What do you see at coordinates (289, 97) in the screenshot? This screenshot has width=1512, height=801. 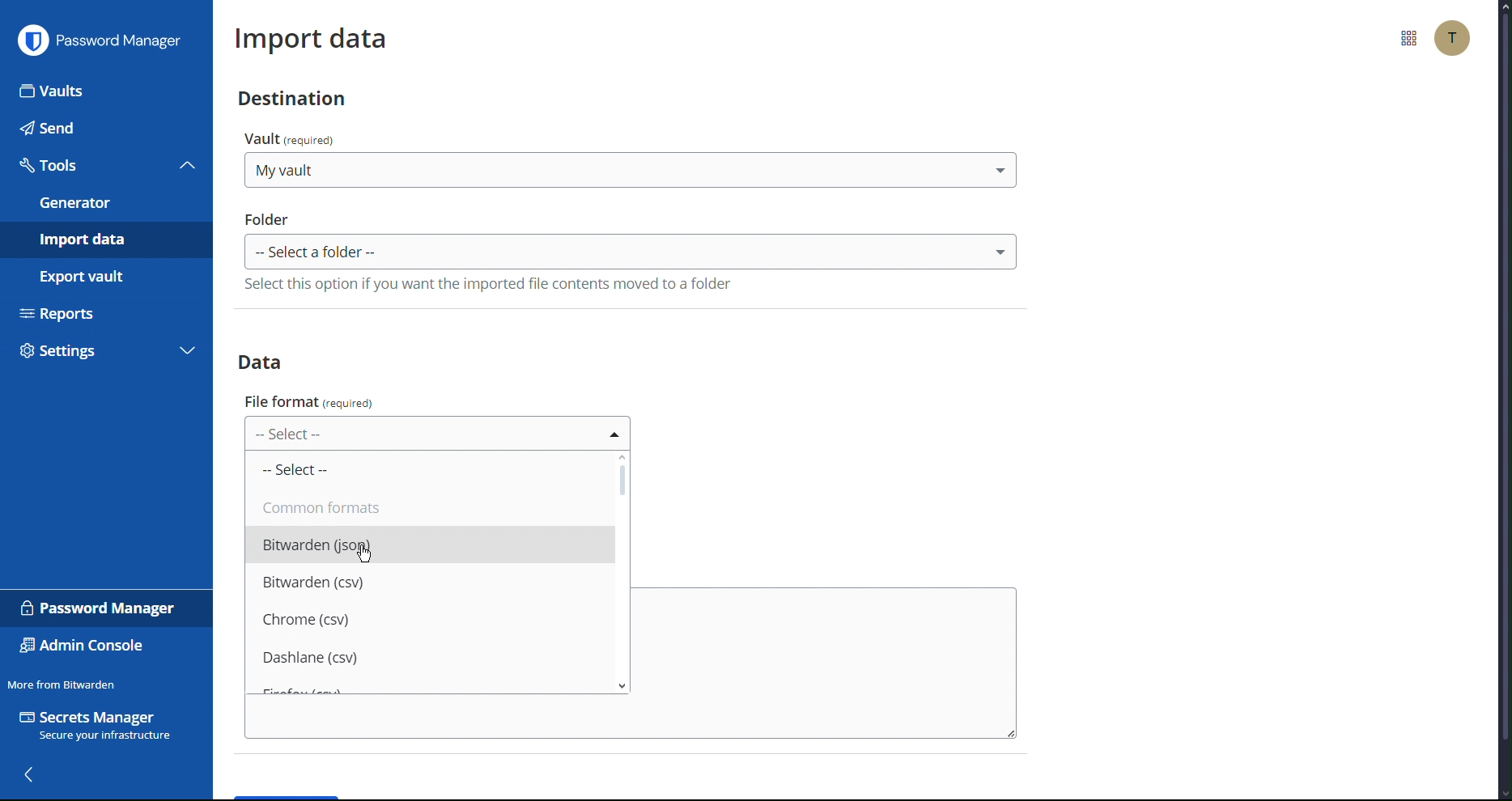 I see `Destination` at bounding box center [289, 97].